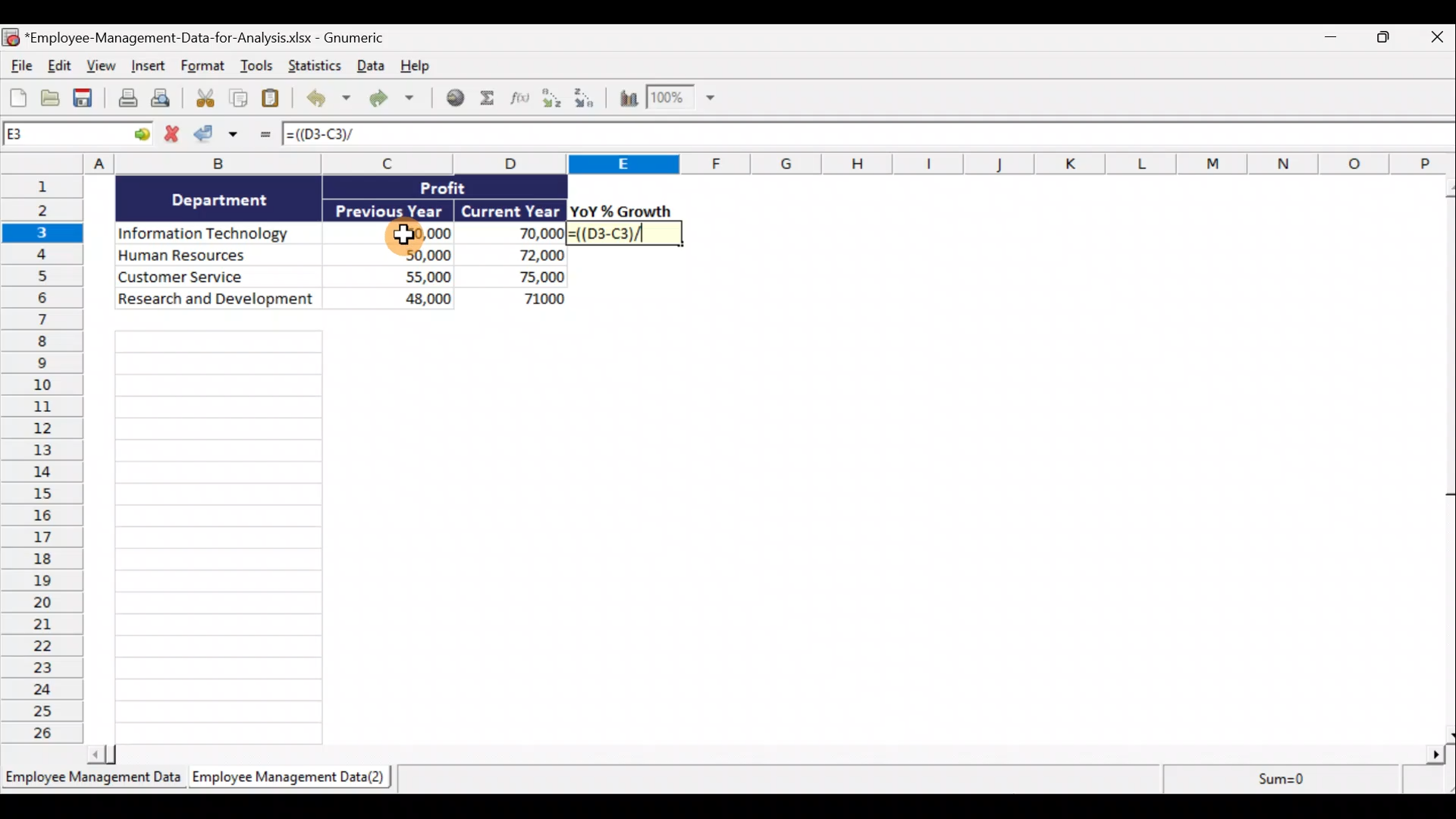 This screenshot has width=1456, height=819. What do you see at coordinates (627, 101) in the screenshot?
I see `Insert a chart` at bounding box center [627, 101].